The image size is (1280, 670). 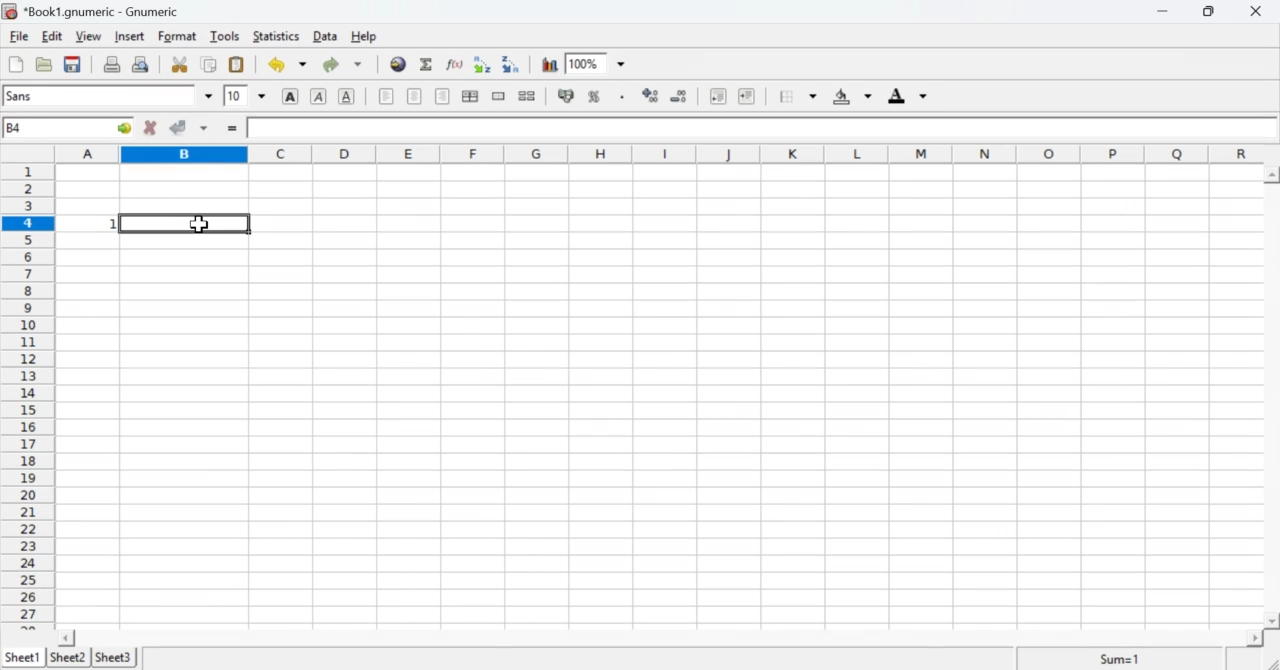 What do you see at coordinates (148, 129) in the screenshot?
I see `Cancel change` at bounding box center [148, 129].